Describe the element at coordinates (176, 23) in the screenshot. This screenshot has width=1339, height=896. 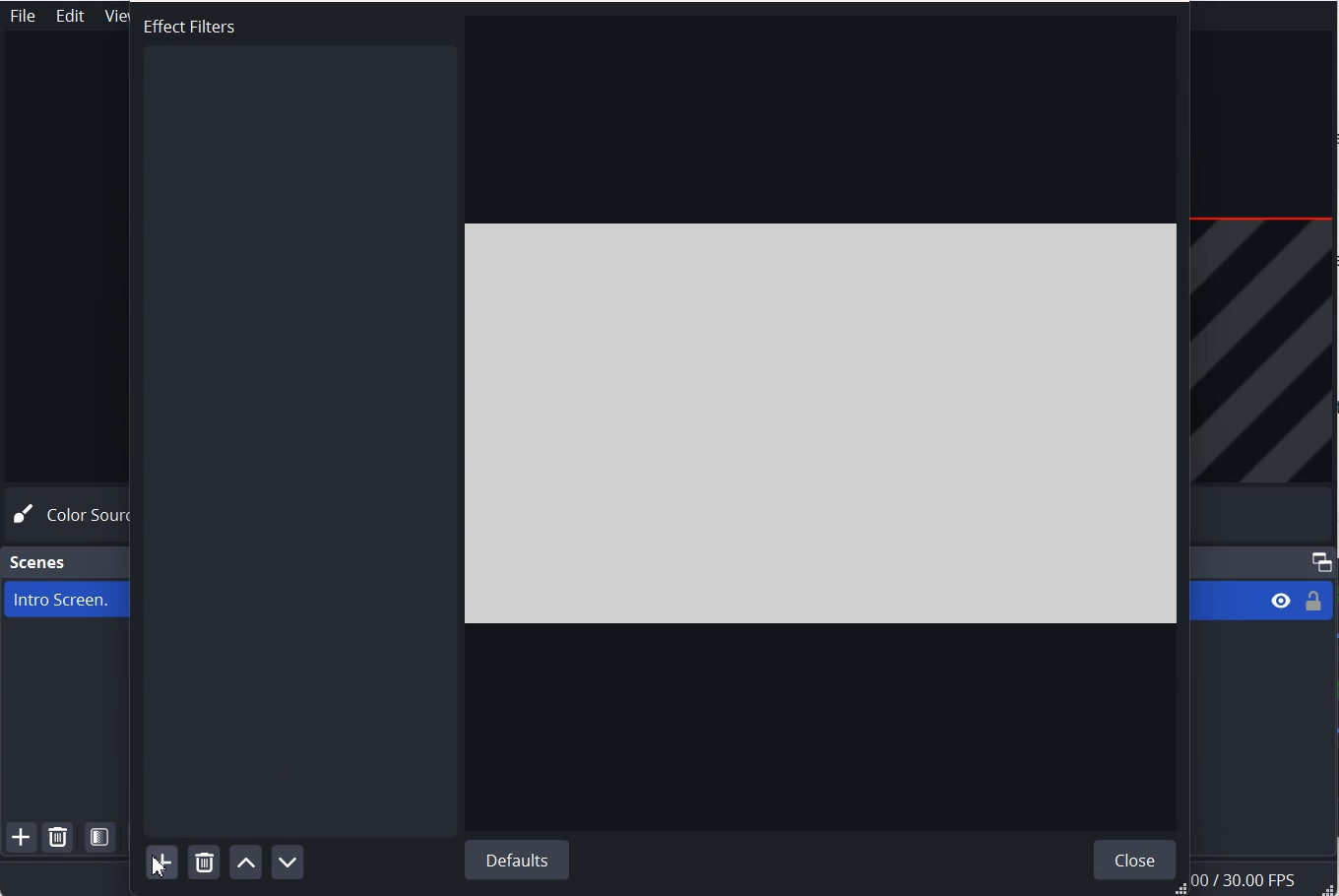
I see `Text` at that location.